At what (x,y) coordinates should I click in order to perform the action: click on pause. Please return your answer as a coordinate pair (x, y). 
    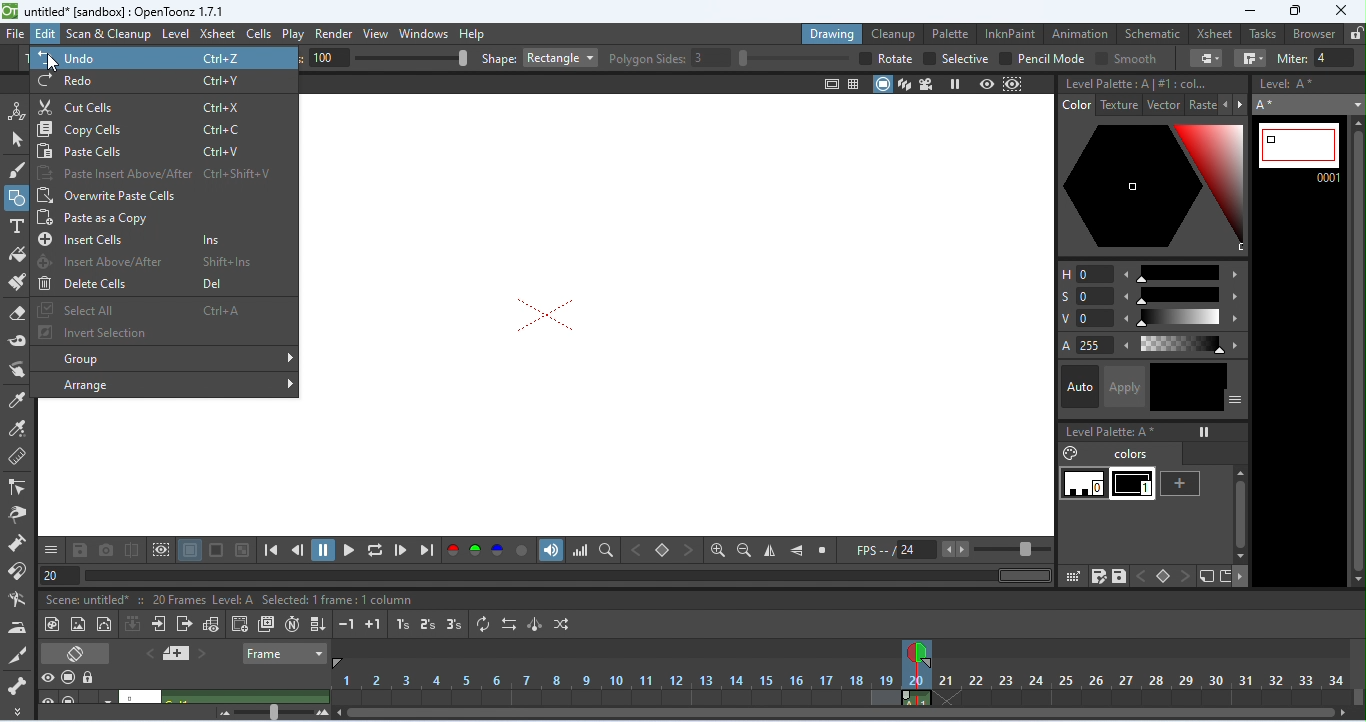
    Looking at the image, I should click on (323, 550).